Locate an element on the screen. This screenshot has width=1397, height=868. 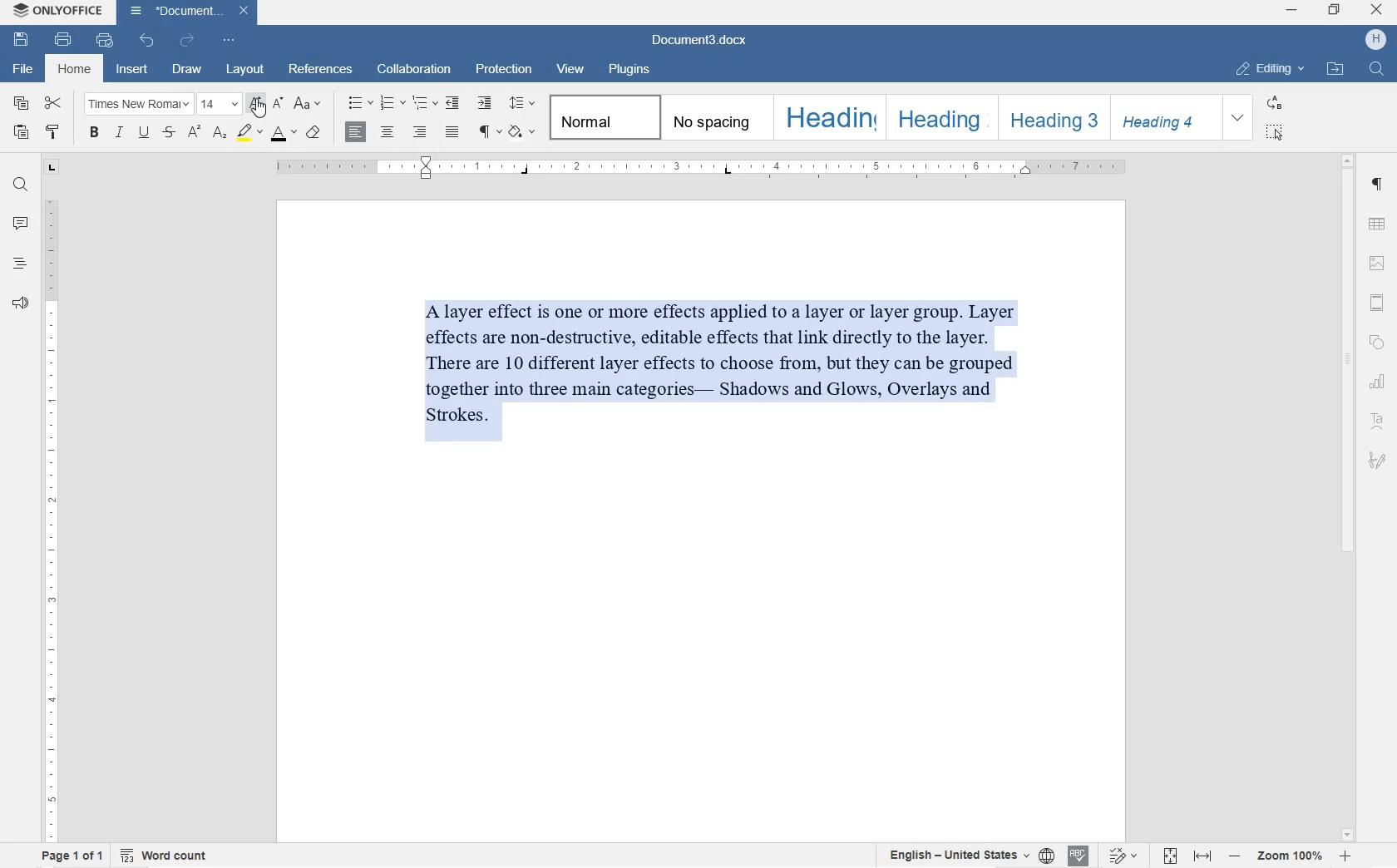
insert is located at coordinates (133, 68).